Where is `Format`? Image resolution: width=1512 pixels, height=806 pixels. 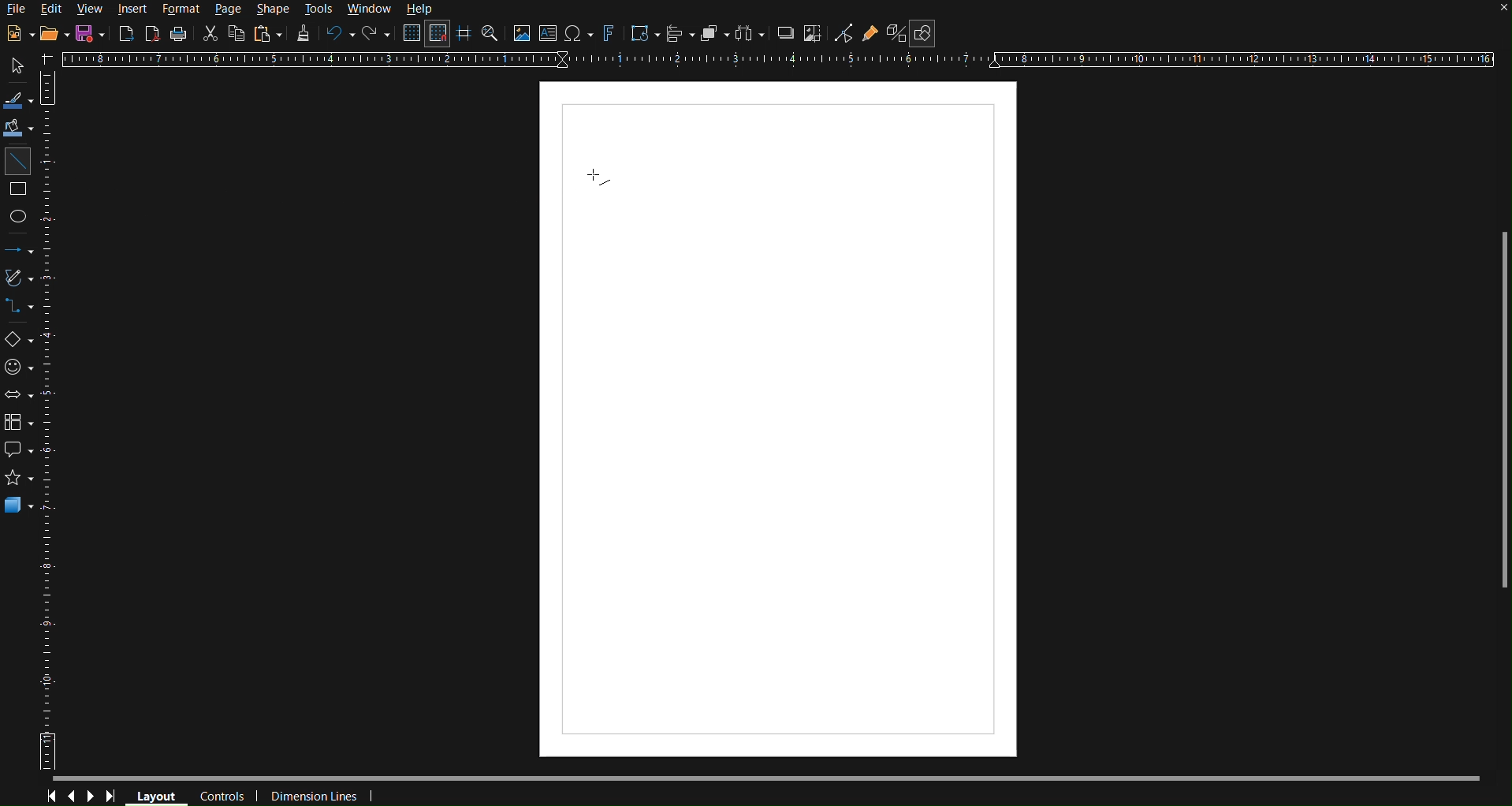 Format is located at coordinates (178, 9).